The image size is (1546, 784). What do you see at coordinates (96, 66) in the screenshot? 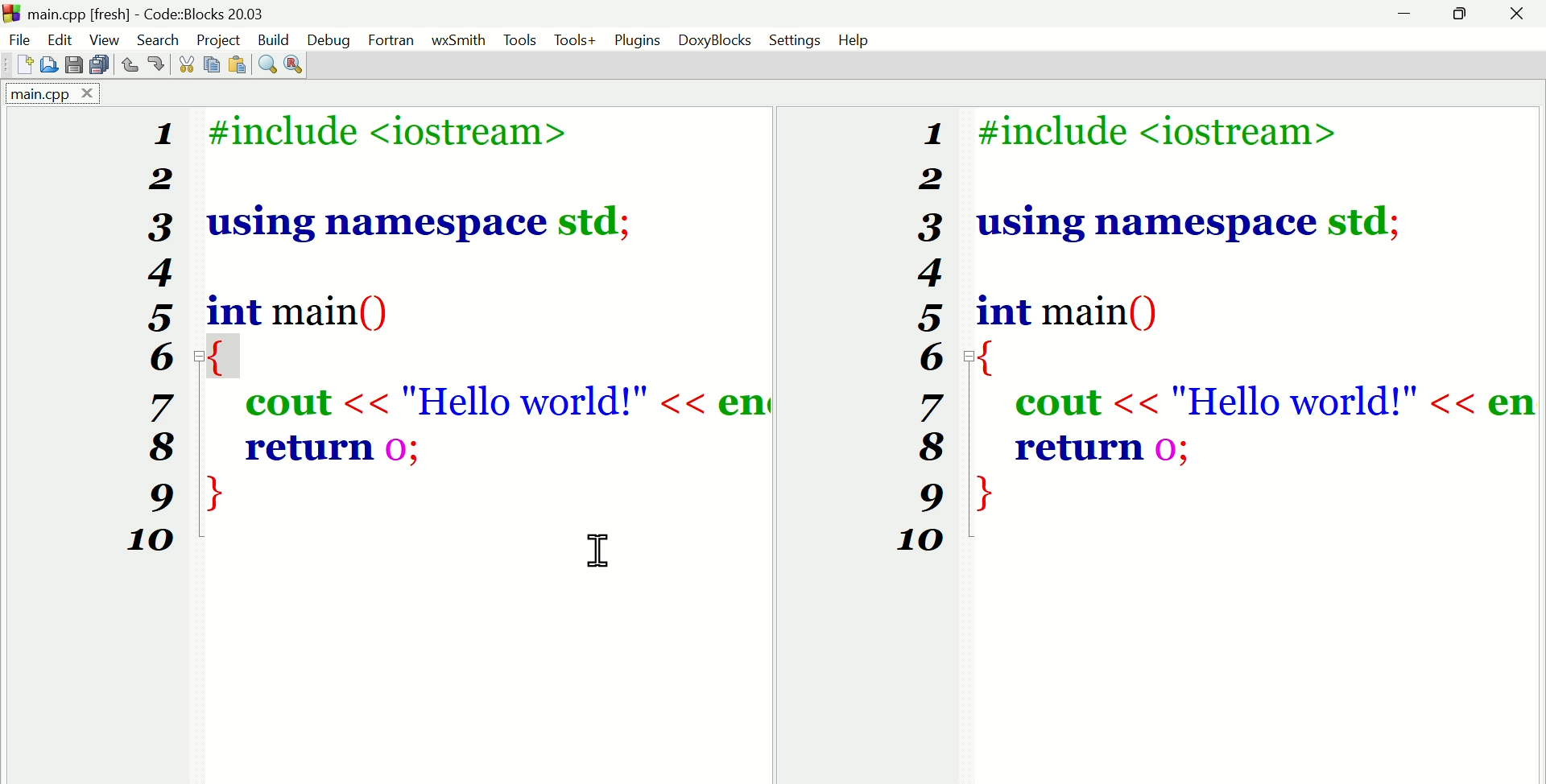
I see `Save all` at bounding box center [96, 66].